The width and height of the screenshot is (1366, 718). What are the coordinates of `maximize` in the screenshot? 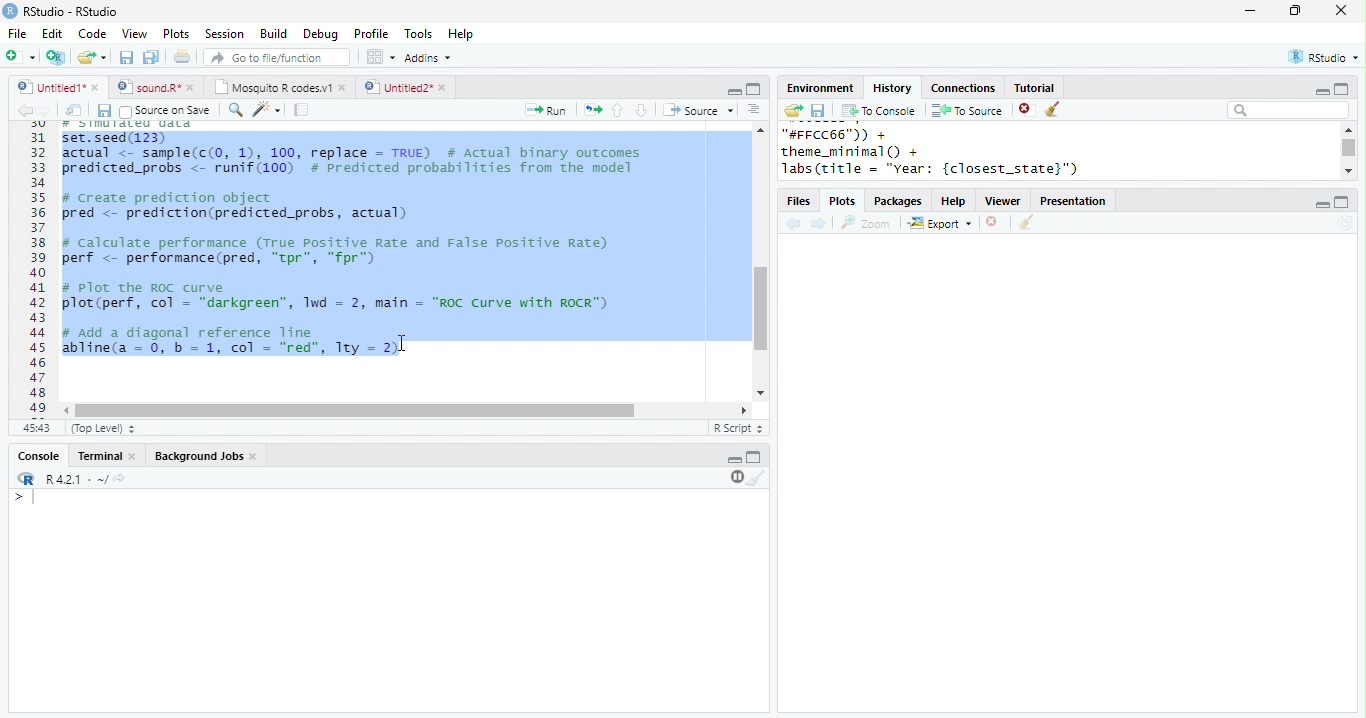 It's located at (1342, 202).